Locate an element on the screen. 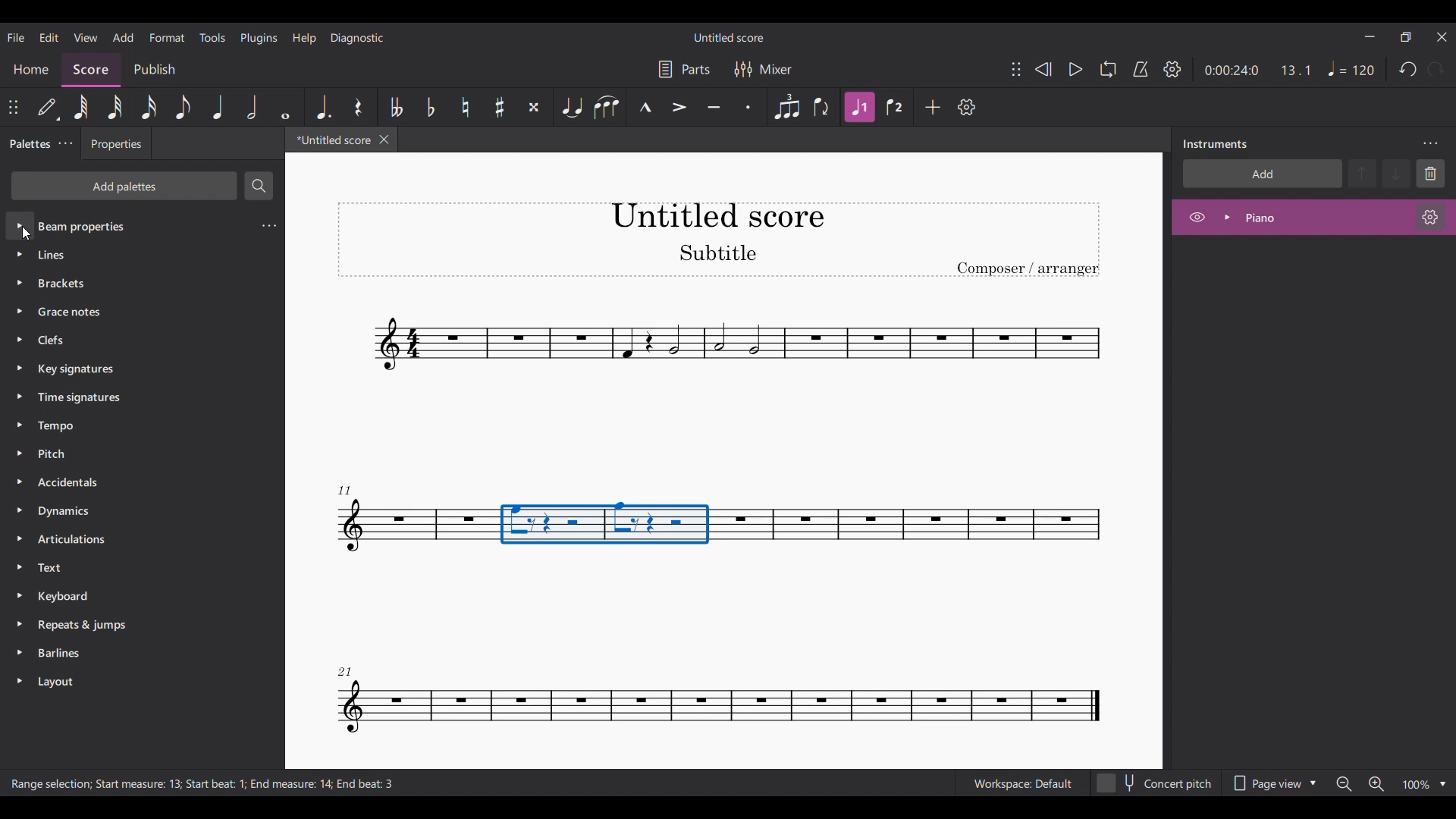  View menu is located at coordinates (85, 37).